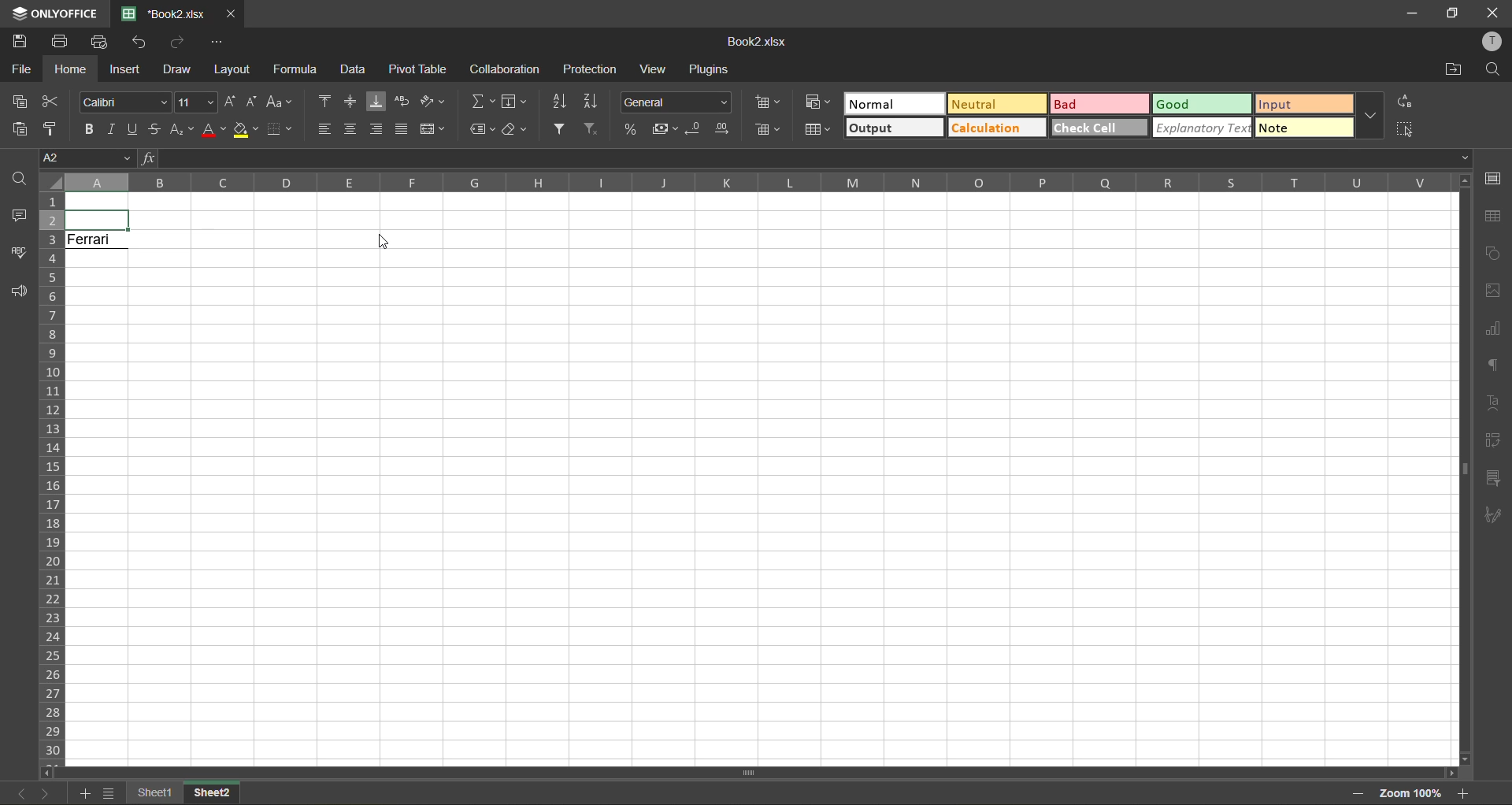 This screenshot has height=805, width=1512. I want to click on charts, so click(1492, 330).